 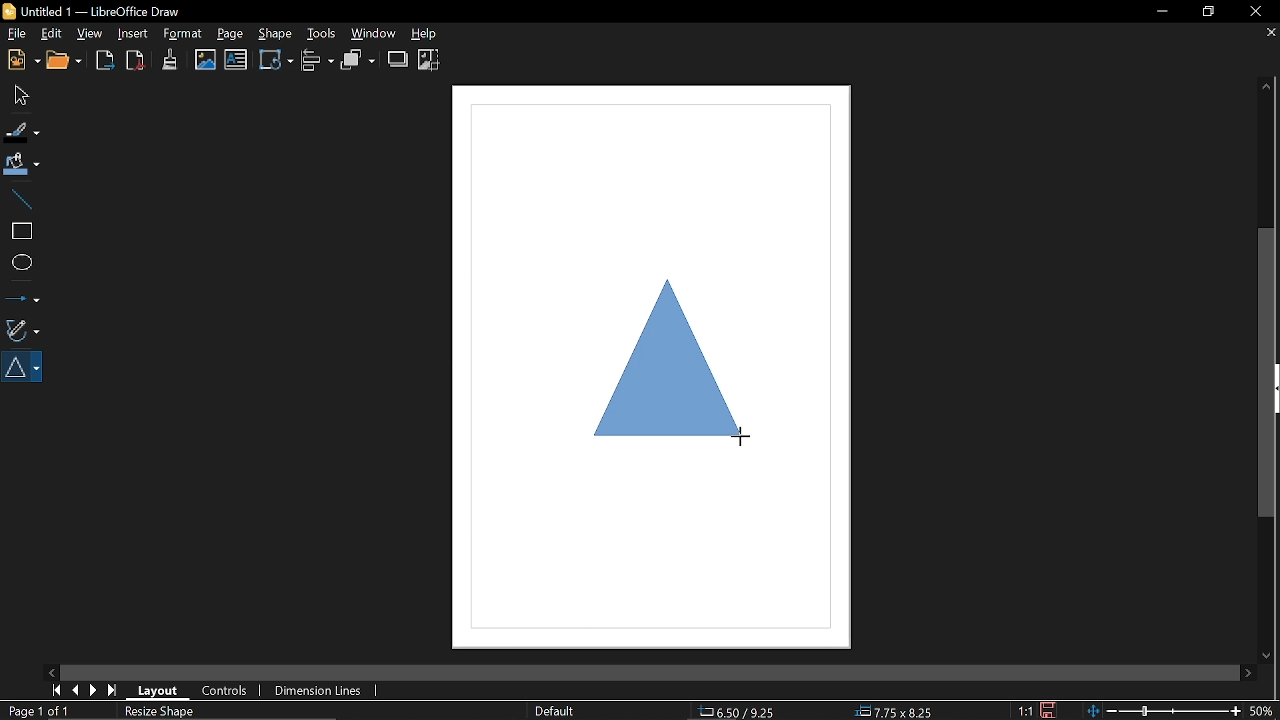 What do you see at coordinates (1163, 712) in the screenshot?
I see `Change zopm` at bounding box center [1163, 712].